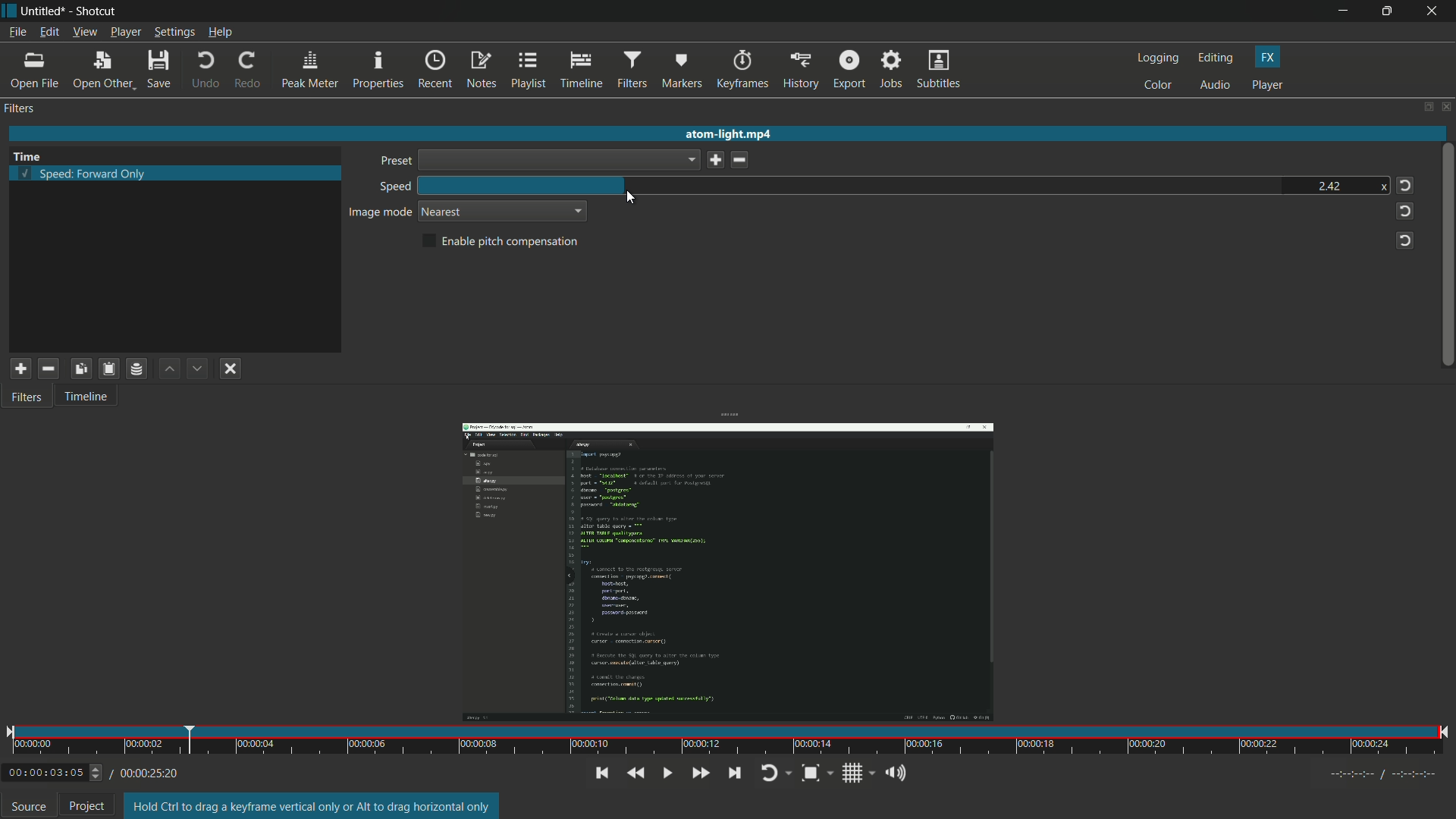 This screenshot has width=1456, height=819. Describe the element at coordinates (313, 806) in the screenshot. I see `Hold Ctrl to drag a keyframe vertical only or Alt to drag horizontal only` at that location.